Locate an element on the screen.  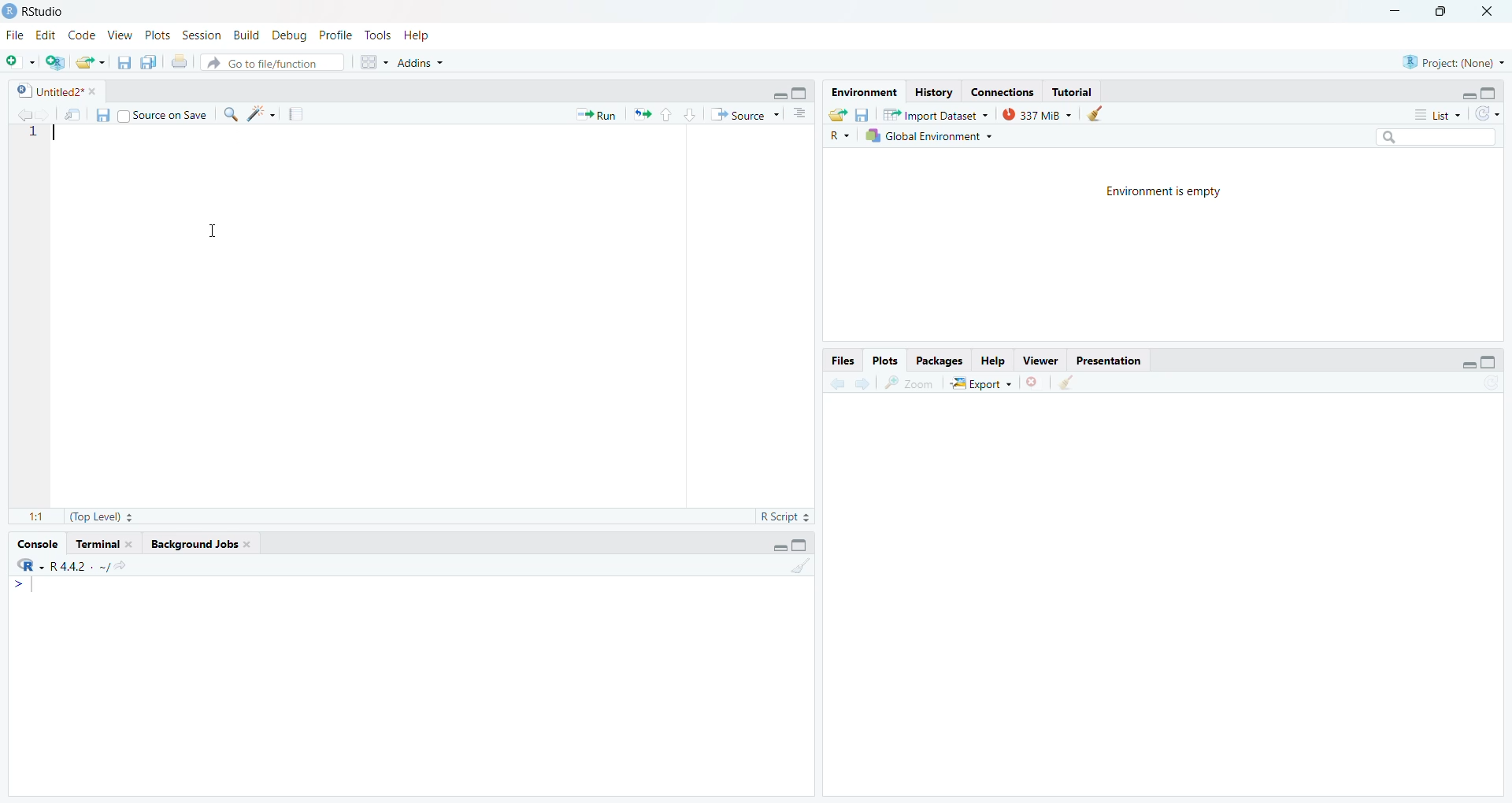
open an existing file is located at coordinates (91, 62).